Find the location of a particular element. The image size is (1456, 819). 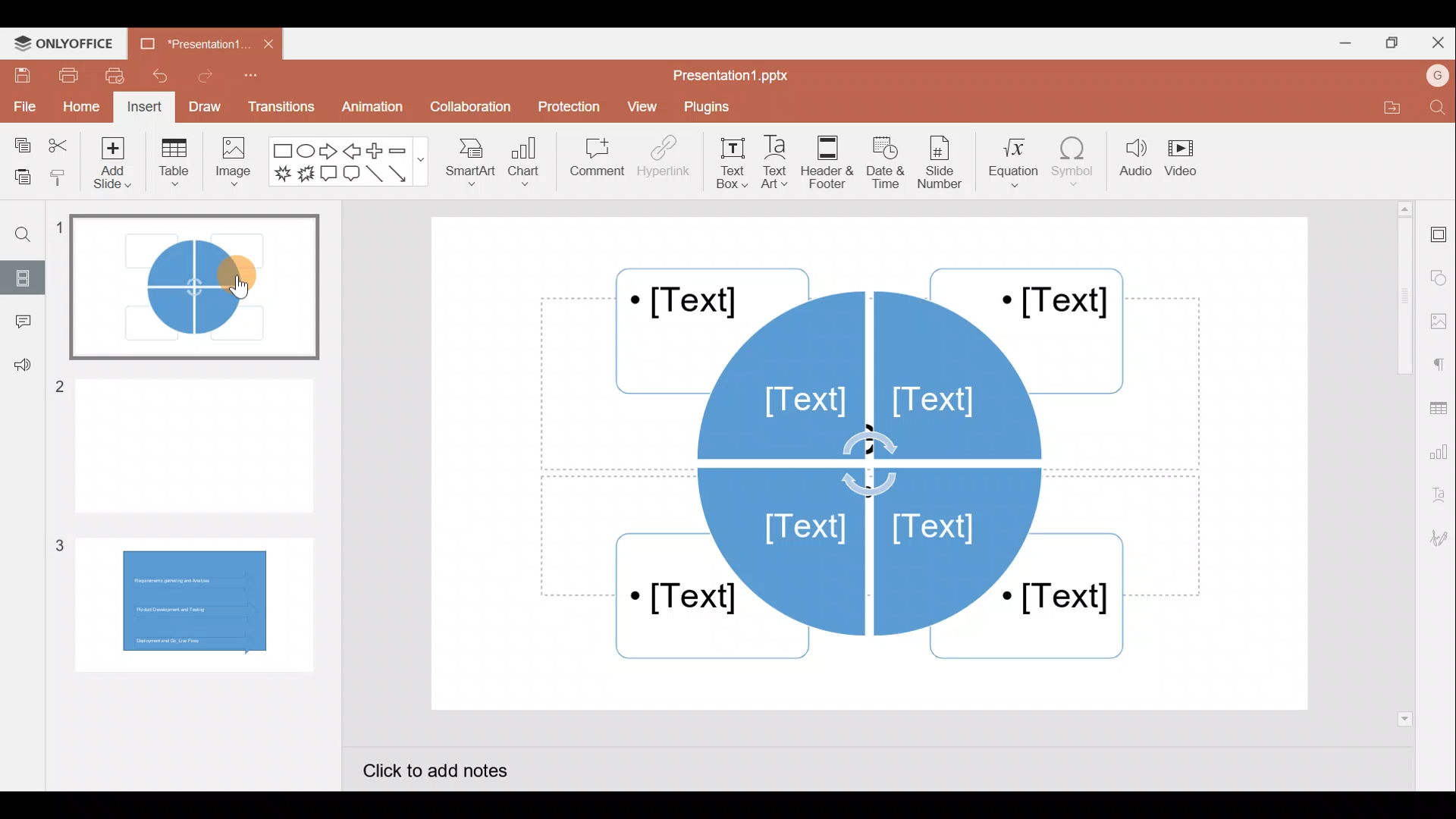

Left arrow is located at coordinates (351, 152).